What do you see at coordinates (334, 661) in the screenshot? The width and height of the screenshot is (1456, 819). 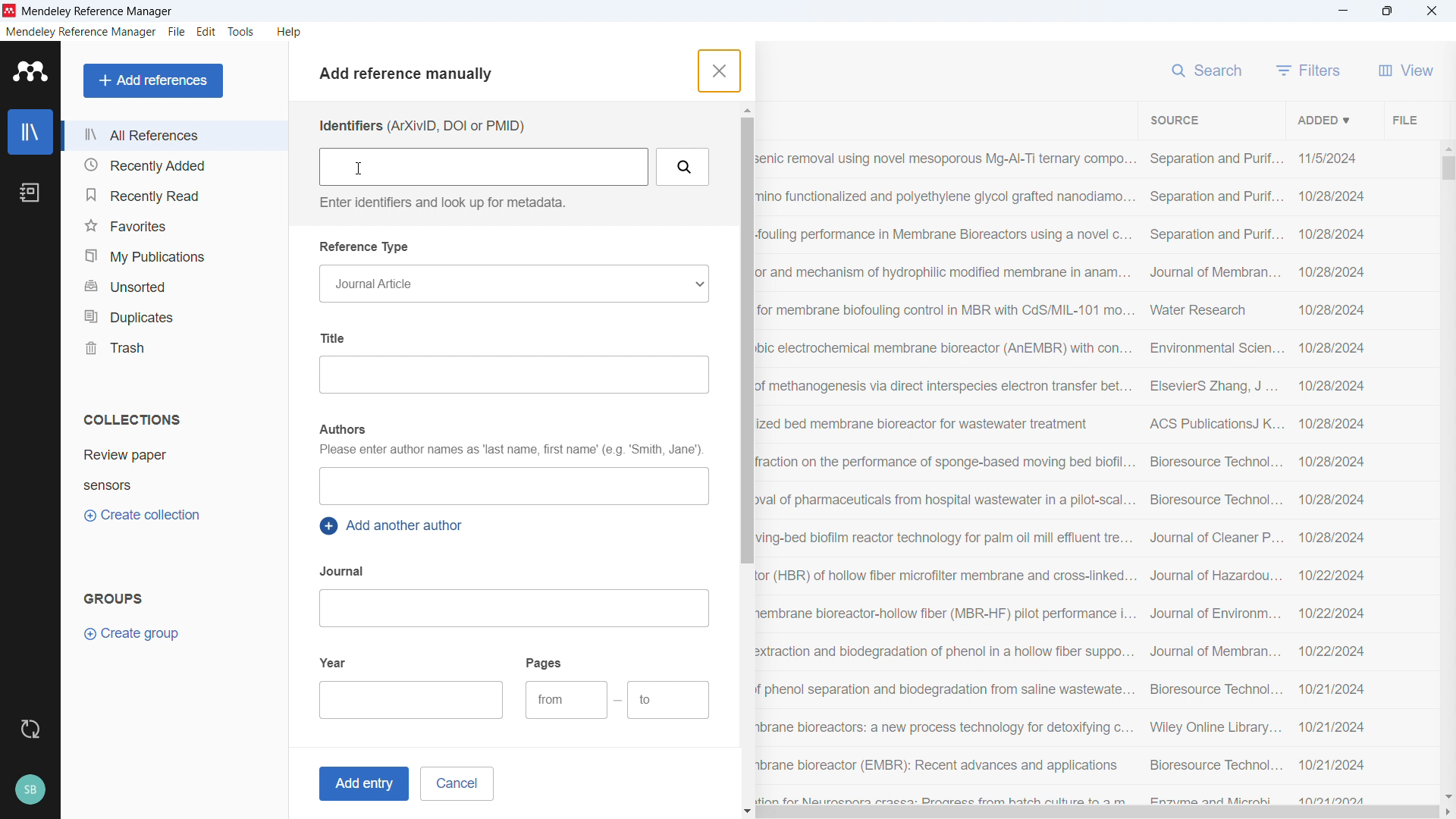 I see `year` at bounding box center [334, 661].